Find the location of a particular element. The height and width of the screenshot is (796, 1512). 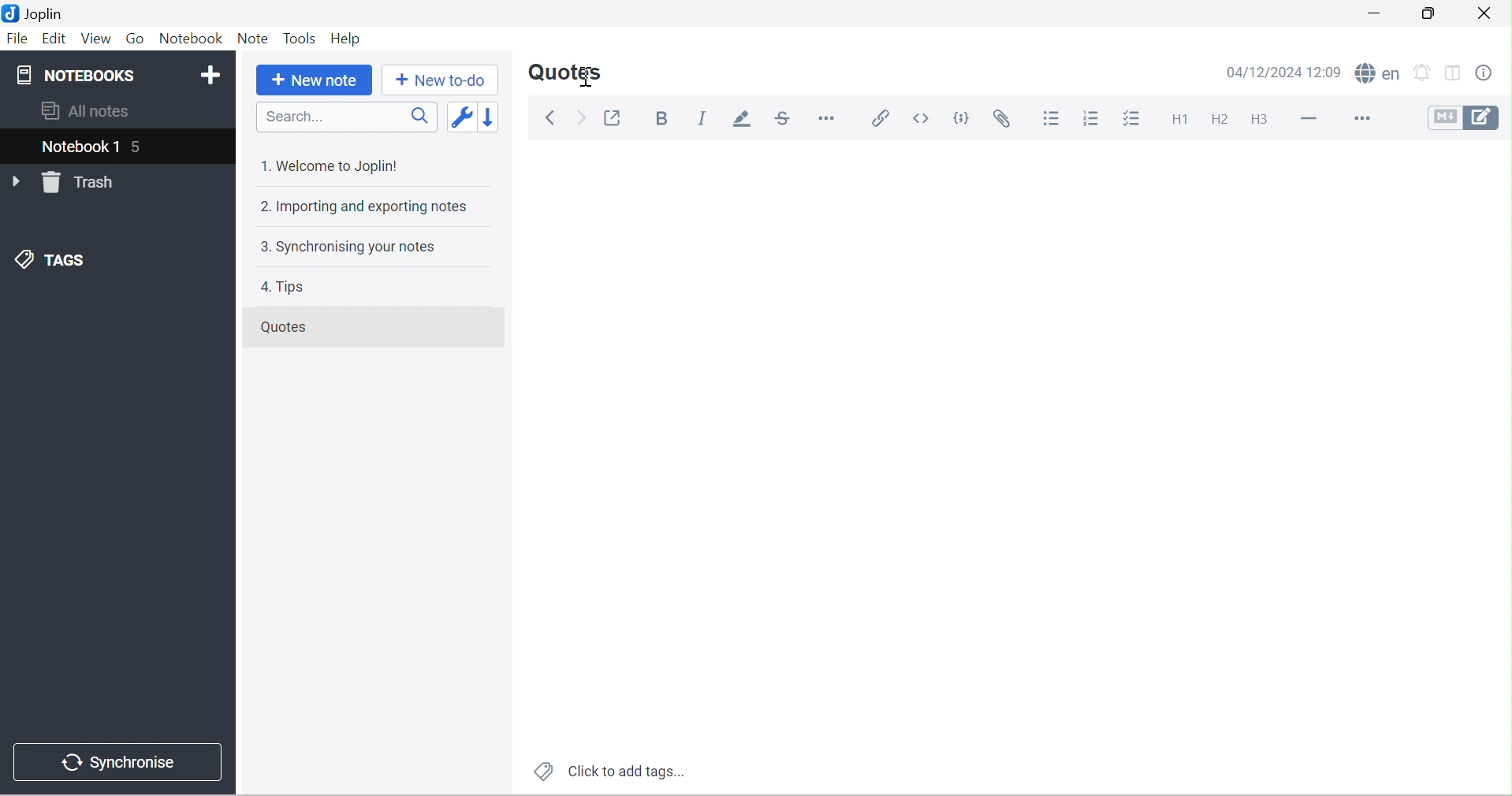

Search is located at coordinates (348, 118).